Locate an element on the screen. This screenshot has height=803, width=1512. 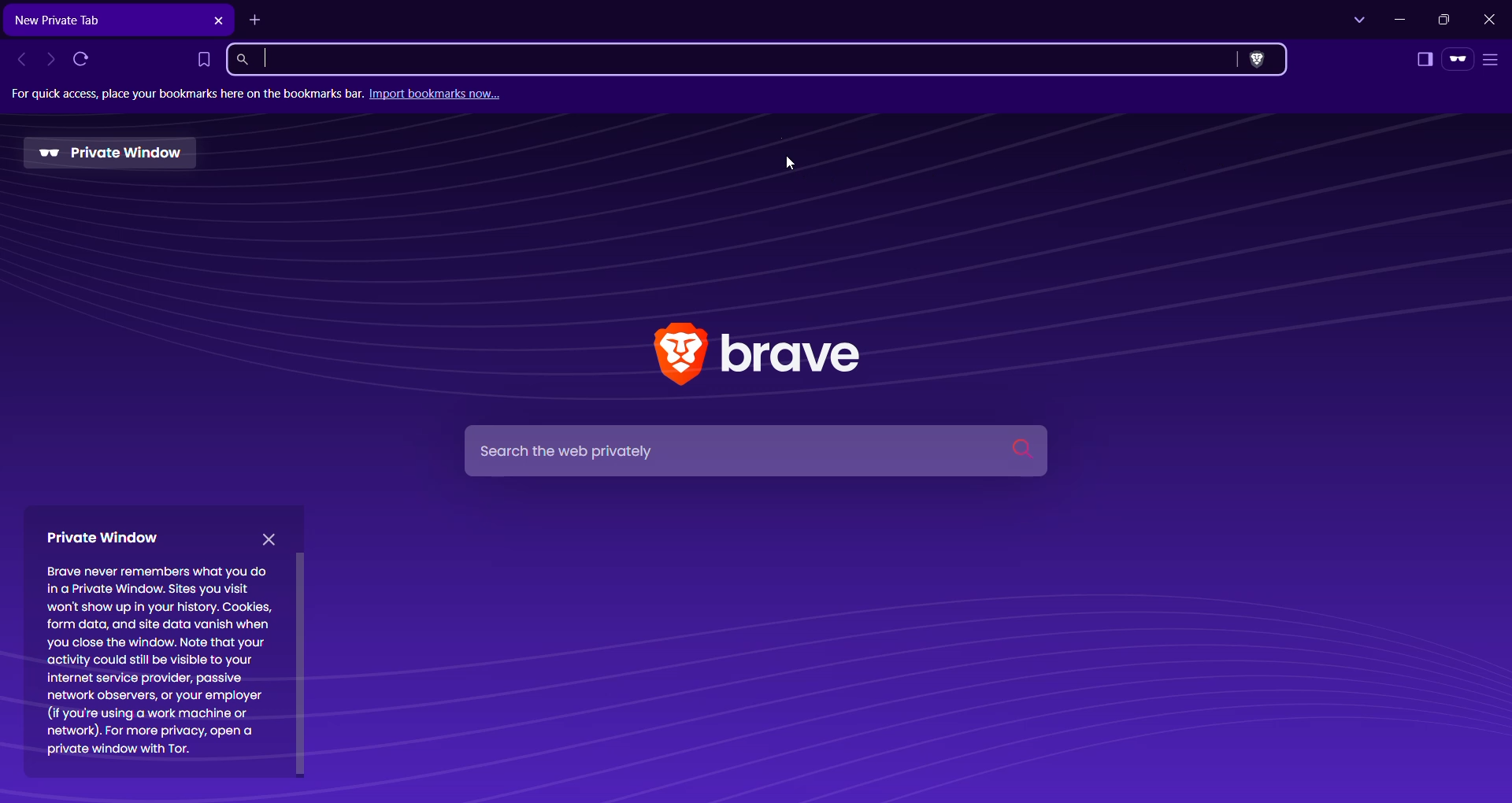
Brave Shields is located at coordinates (1257, 58).